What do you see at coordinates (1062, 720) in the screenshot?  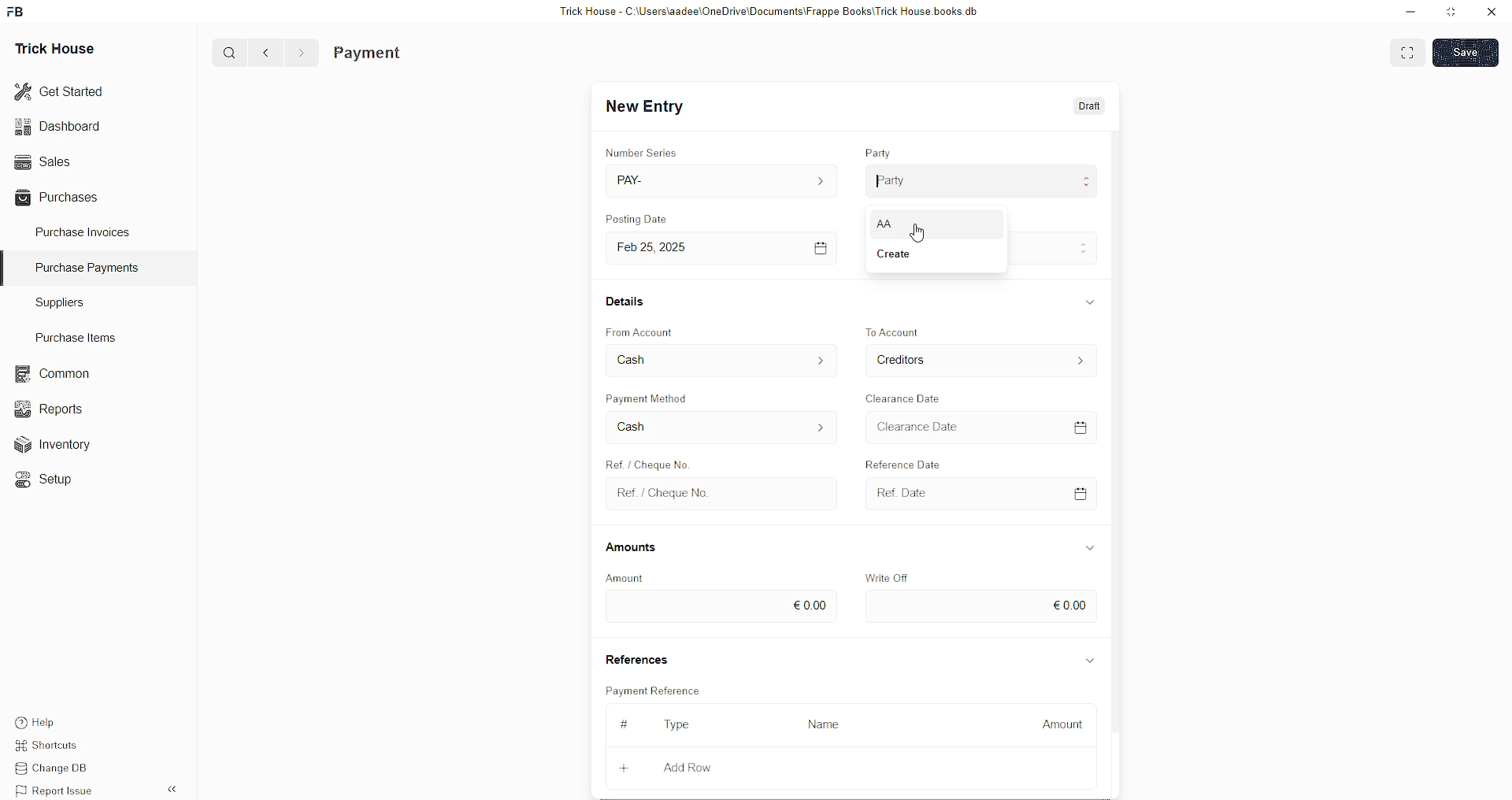 I see `Amount` at bounding box center [1062, 720].